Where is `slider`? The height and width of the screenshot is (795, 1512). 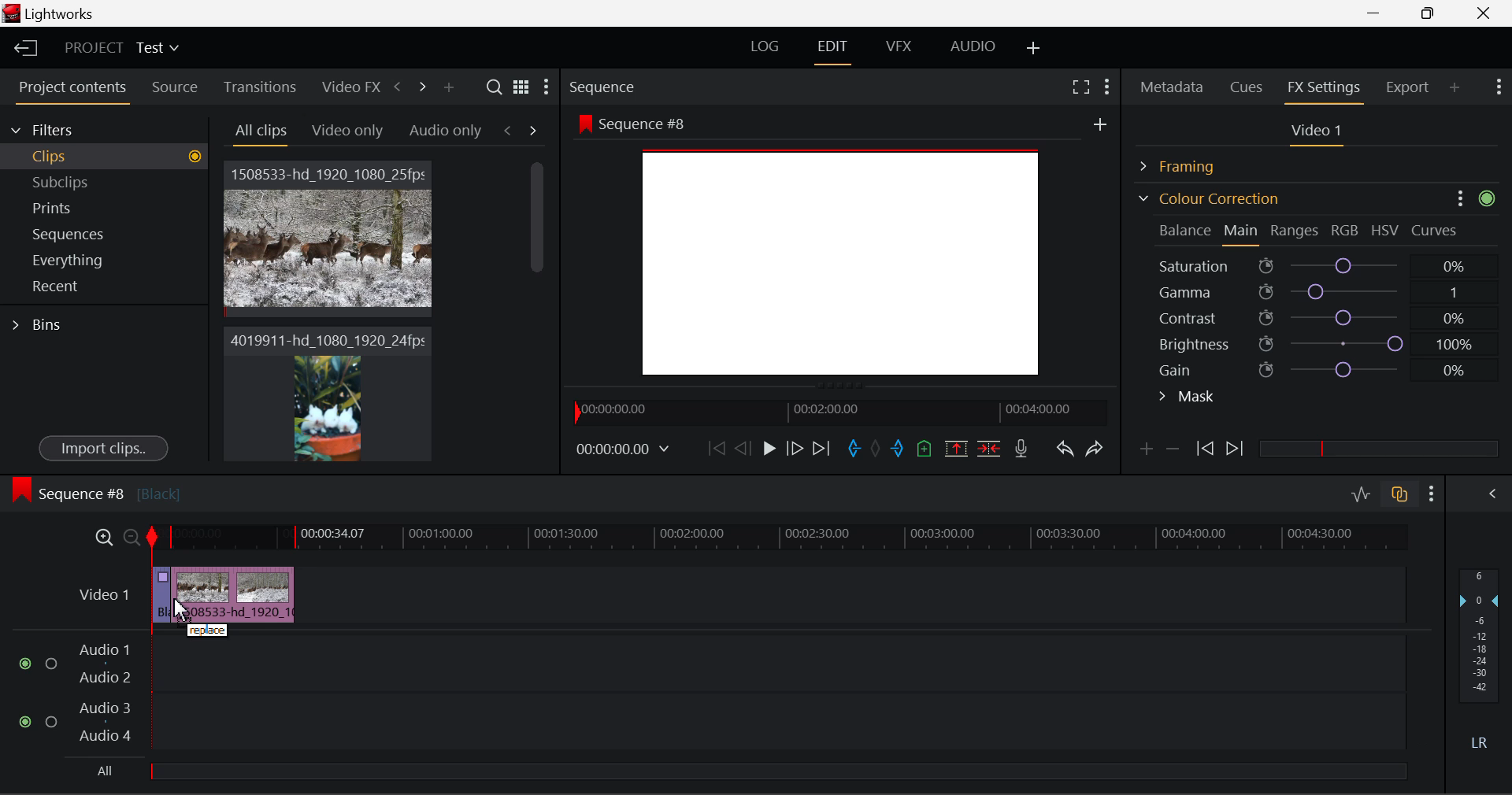 slider is located at coordinates (1378, 448).